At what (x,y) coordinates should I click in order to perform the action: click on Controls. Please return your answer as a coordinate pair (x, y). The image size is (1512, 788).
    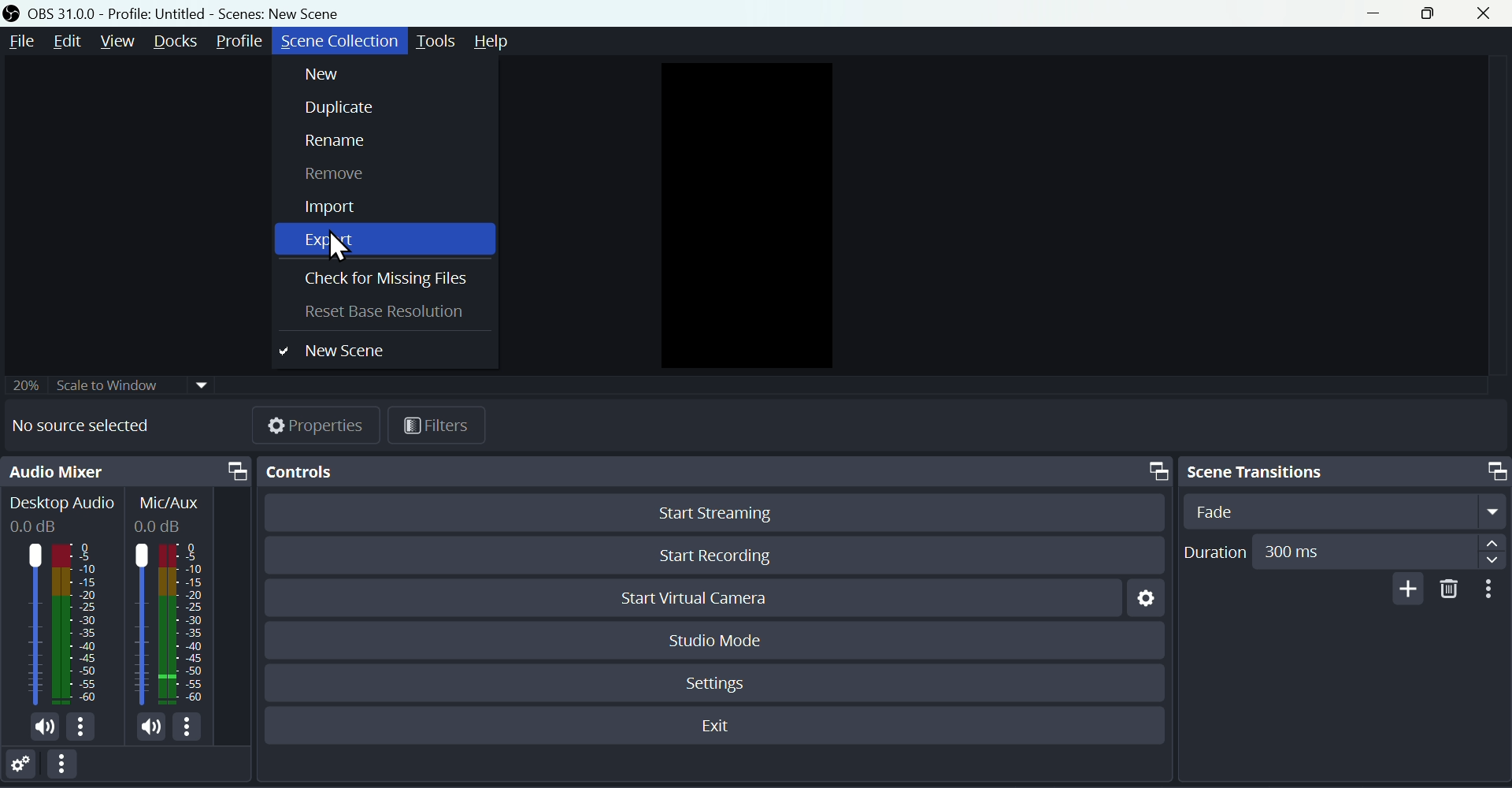
    Looking at the image, I should click on (710, 470).